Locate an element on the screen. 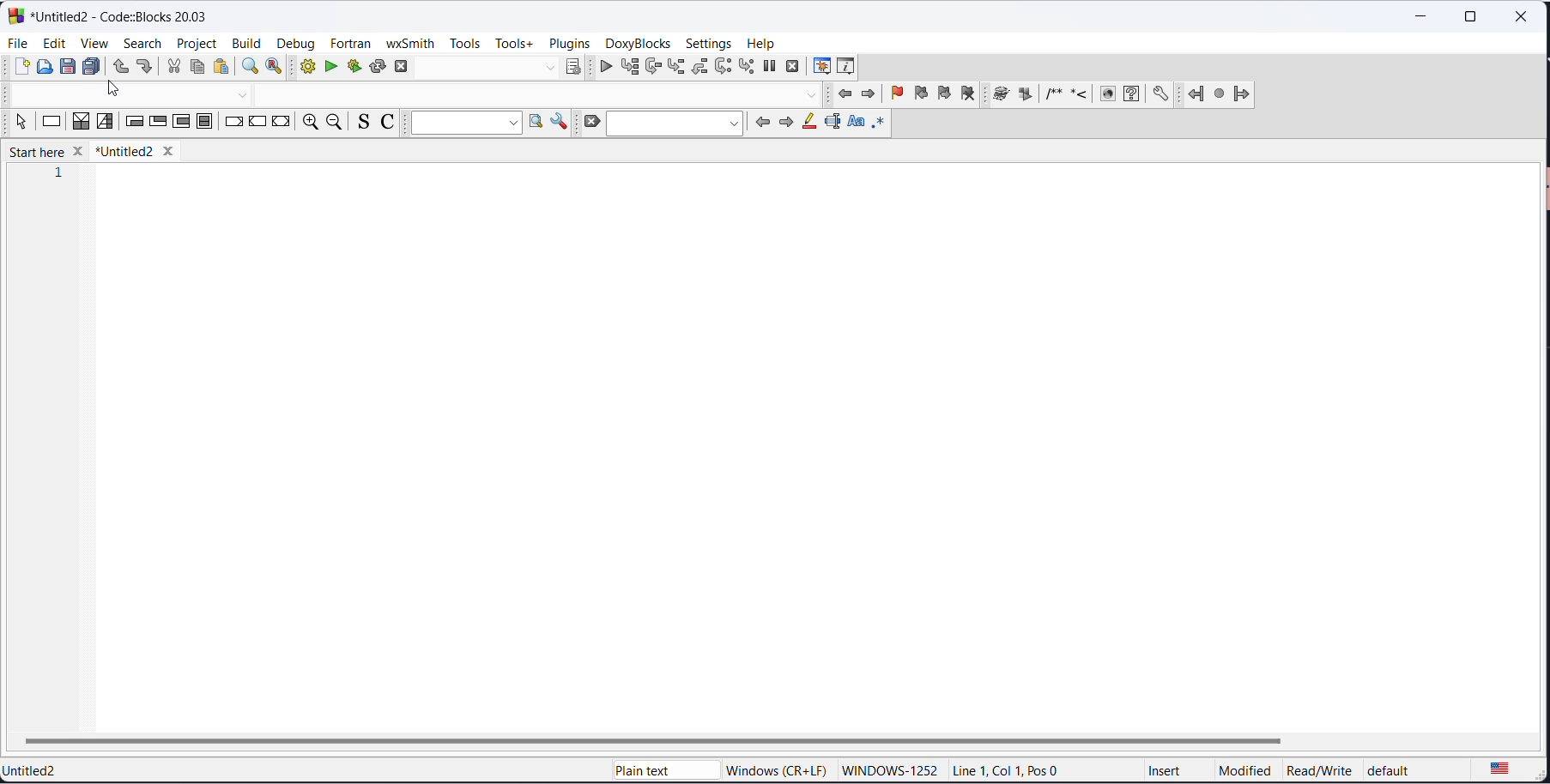 The height and width of the screenshot is (784, 1550). settings is located at coordinates (709, 43).